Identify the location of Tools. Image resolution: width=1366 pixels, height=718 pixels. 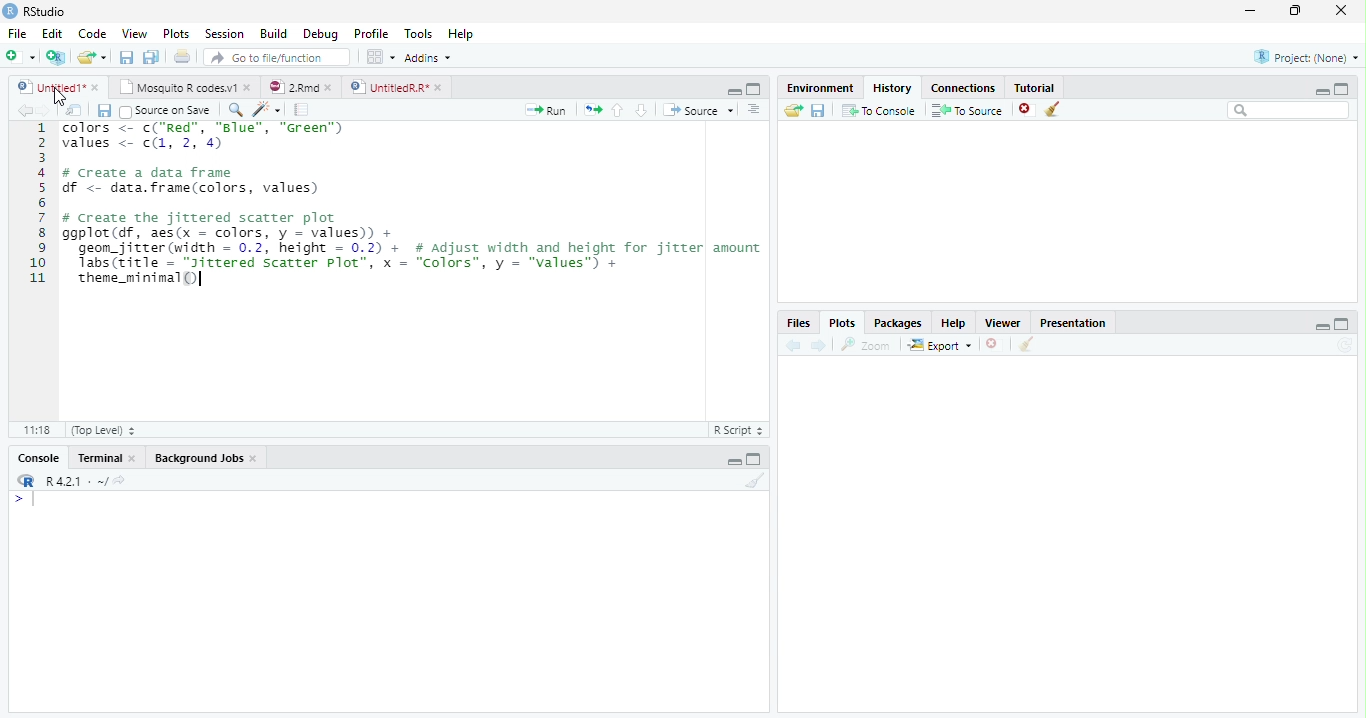
(418, 33).